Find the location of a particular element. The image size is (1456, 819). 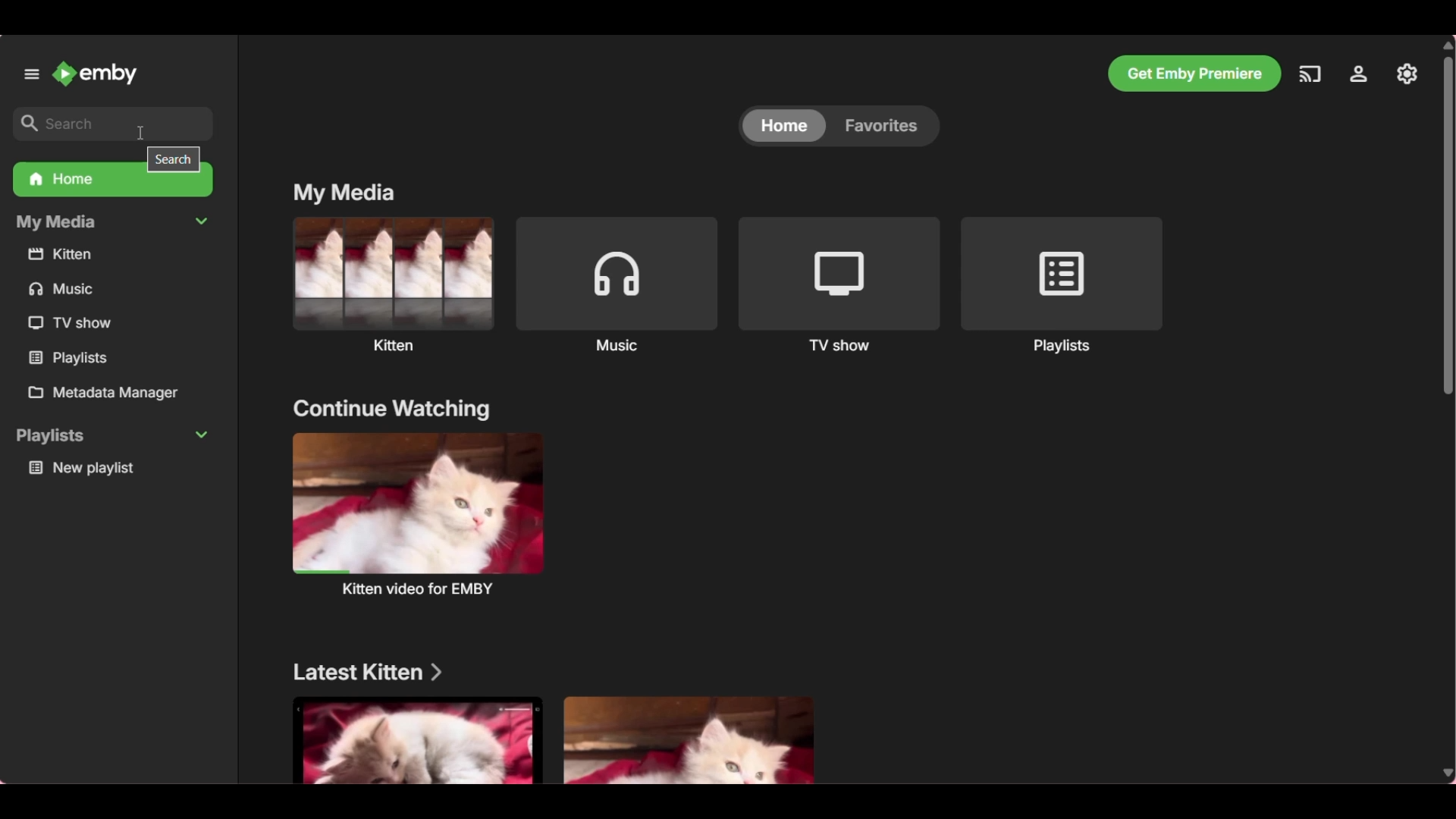

search is located at coordinates (174, 158).